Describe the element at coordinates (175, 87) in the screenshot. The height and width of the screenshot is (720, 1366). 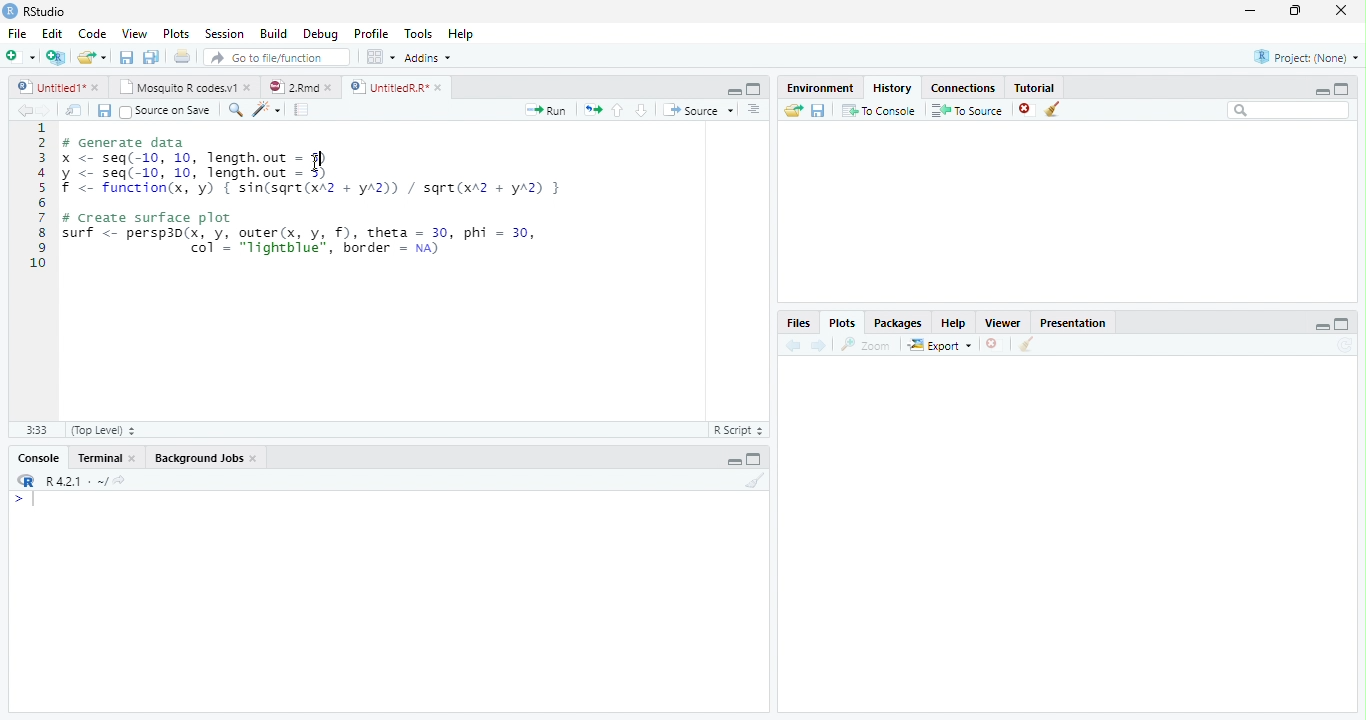
I see `Mosquito R codes.v1` at that location.